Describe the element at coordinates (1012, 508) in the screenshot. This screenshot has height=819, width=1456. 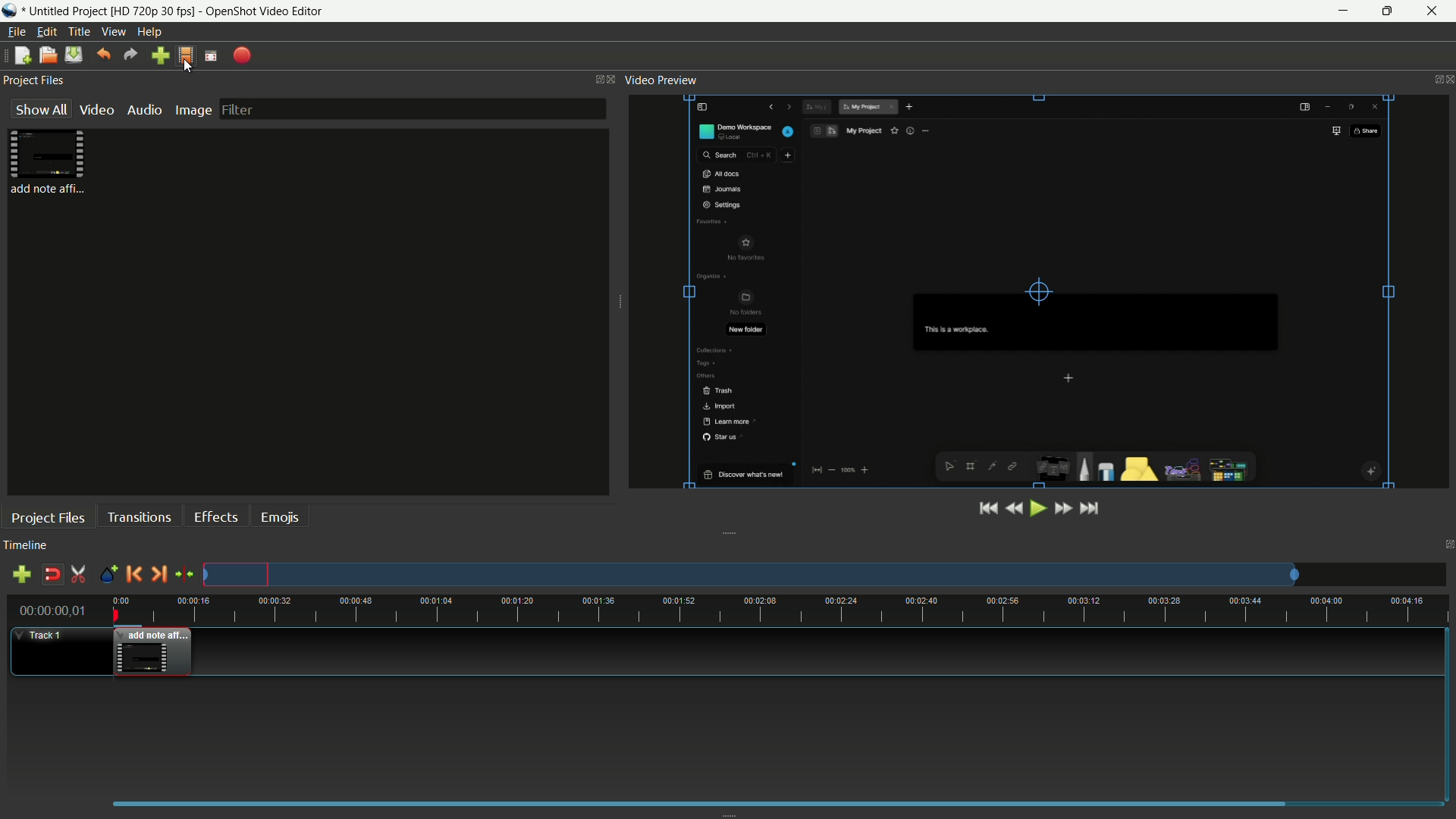
I see `rewind` at that location.